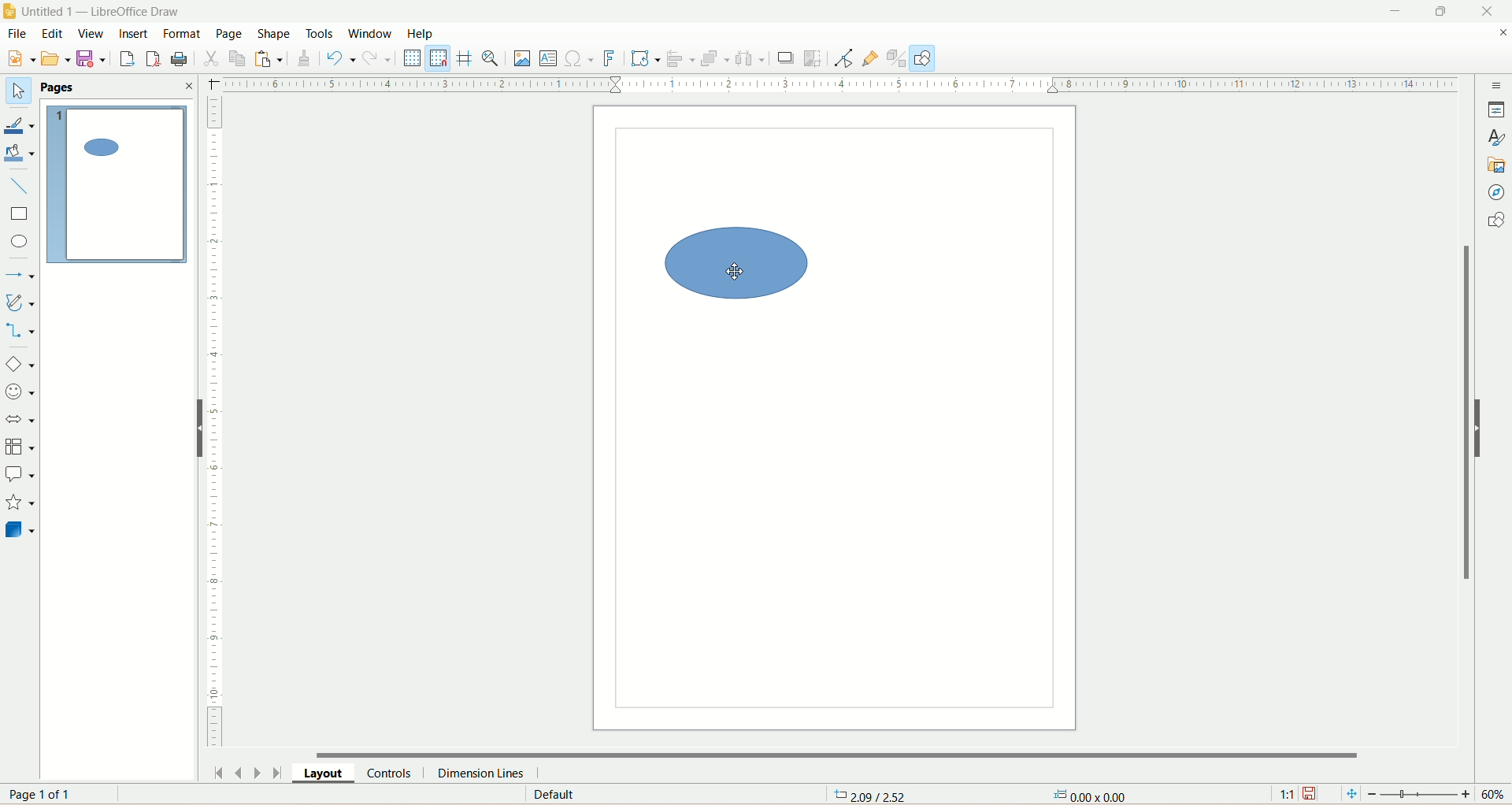 The height and width of the screenshot is (805, 1512). Describe the element at coordinates (131, 34) in the screenshot. I see `insert` at that location.